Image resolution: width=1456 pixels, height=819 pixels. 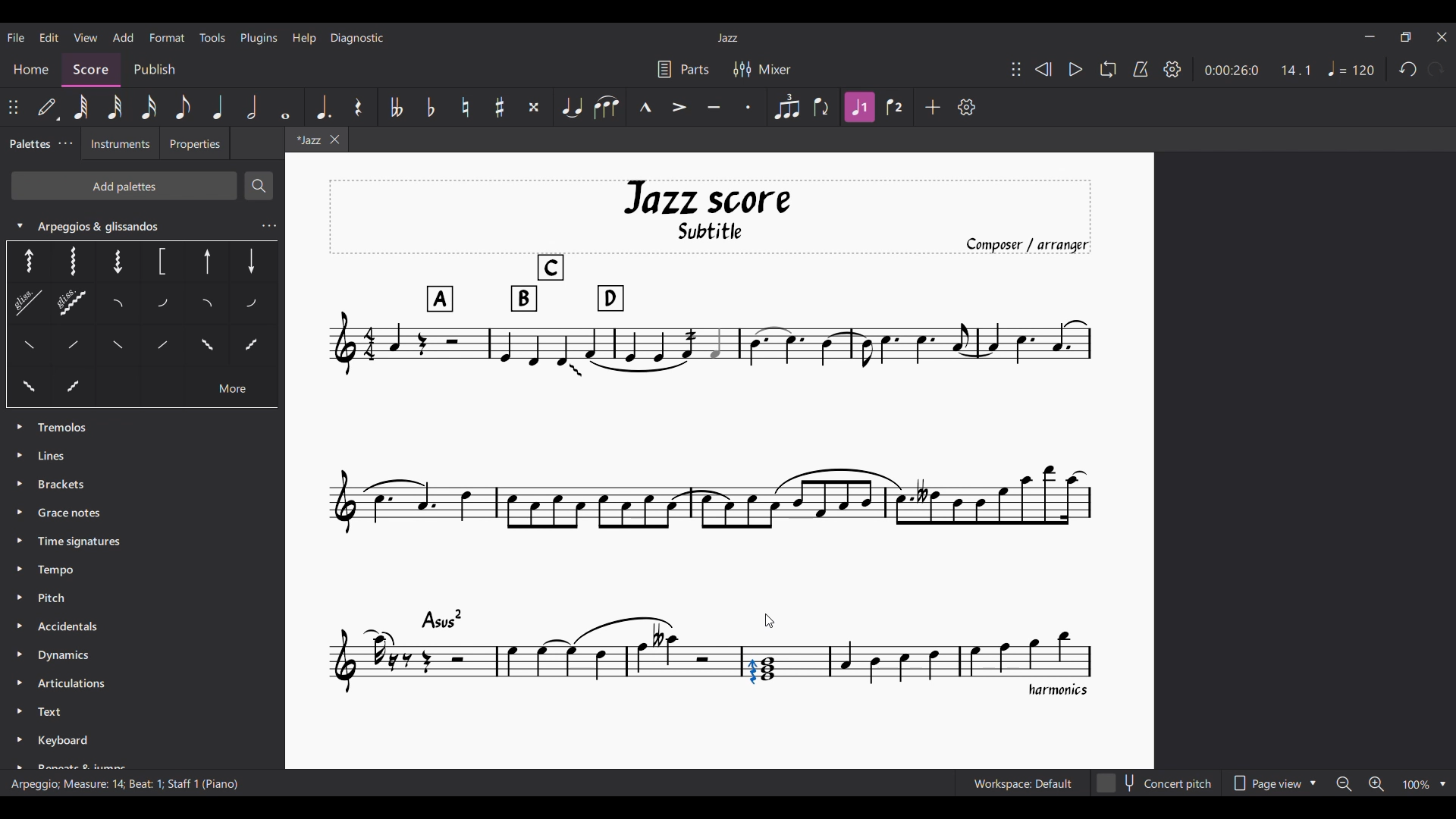 What do you see at coordinates (30, 143) in the screenshot?
I see `Palettes` at bounding box center [30, 143].